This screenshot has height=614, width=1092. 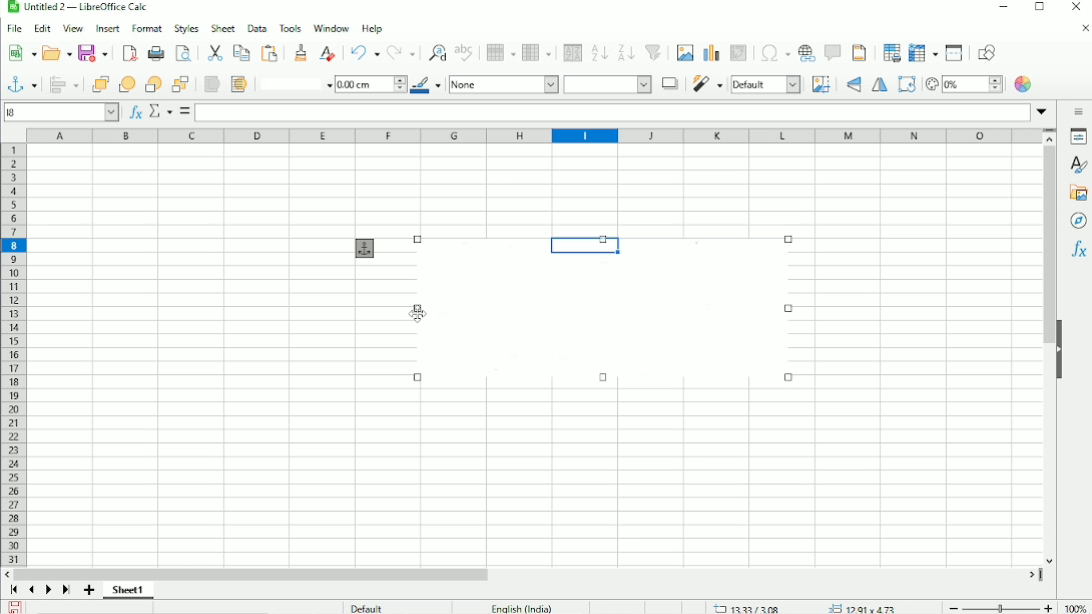 What do you see at coordinates (1073, 606) in the screenshot?
I see `Zoom factor` at bounding box center [1073, 606].